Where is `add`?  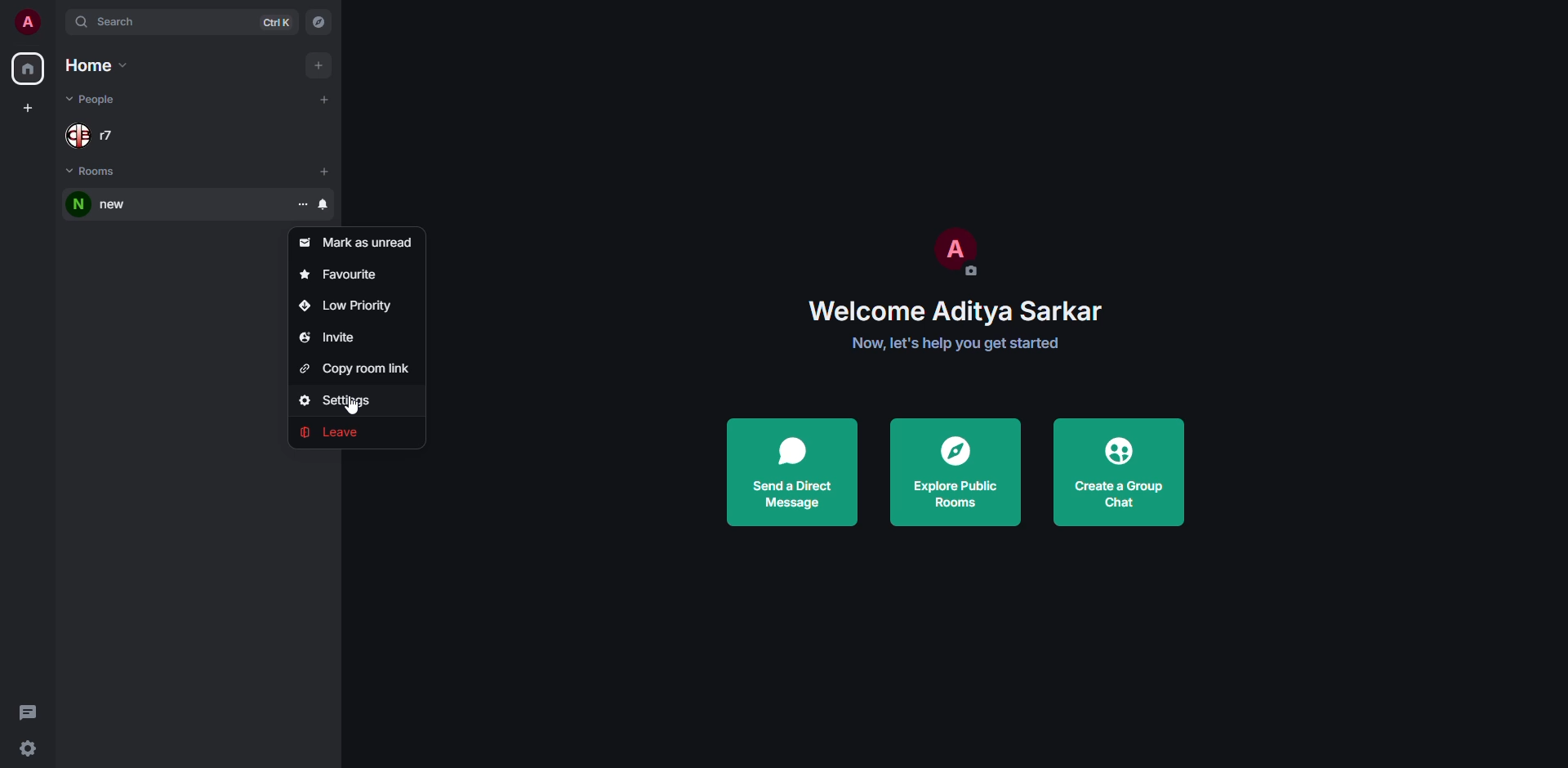 add is located at coordinates (324, 98).